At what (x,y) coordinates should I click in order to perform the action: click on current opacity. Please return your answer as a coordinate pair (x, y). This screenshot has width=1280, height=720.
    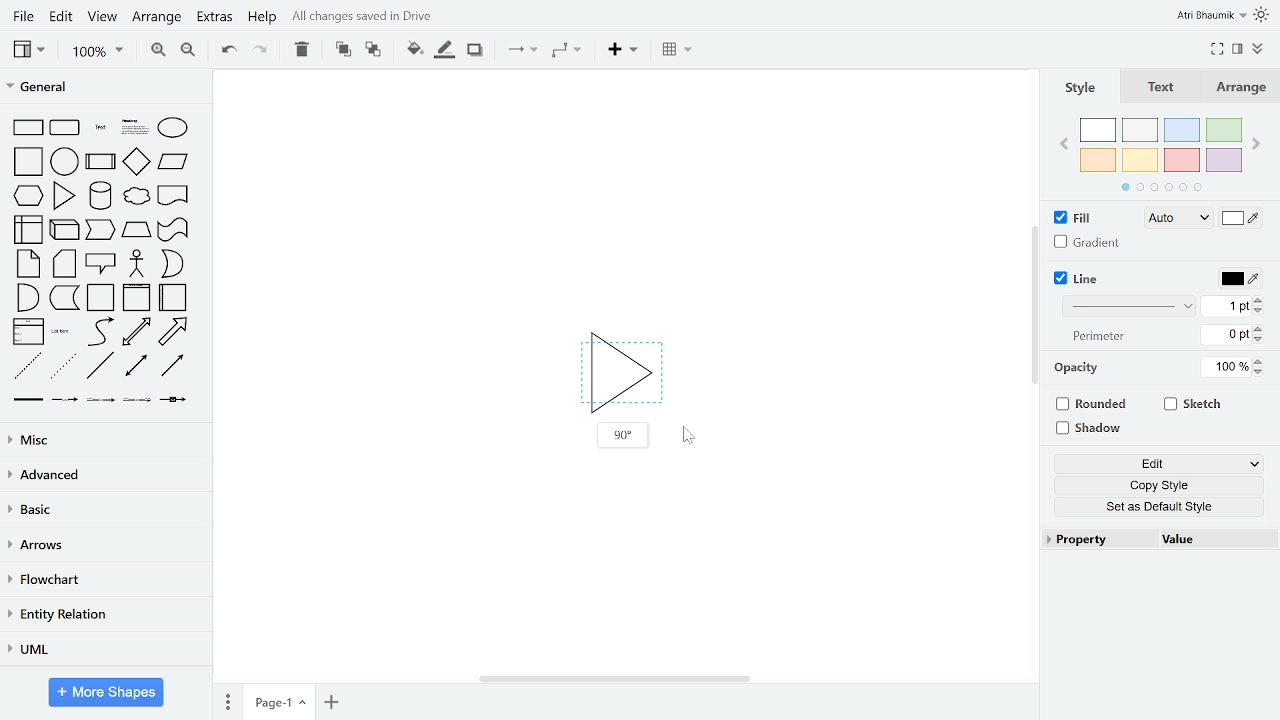
    Looking at the image, I should click on (1223, 368).